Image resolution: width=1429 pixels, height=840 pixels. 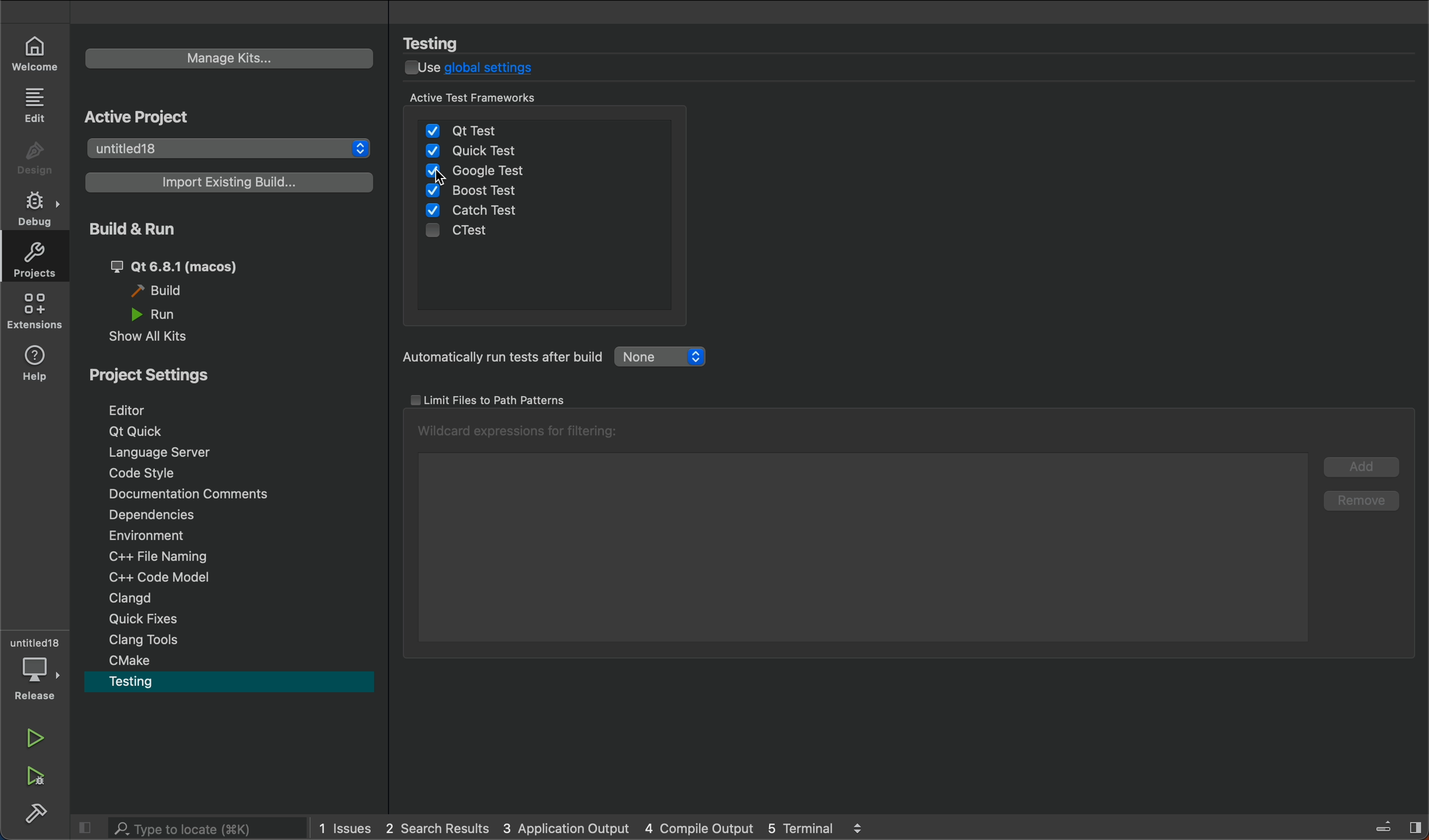 What do you see at coordinates (37, 668) in the screenshot?
I see `debugger` at bounding box center [37, 668].